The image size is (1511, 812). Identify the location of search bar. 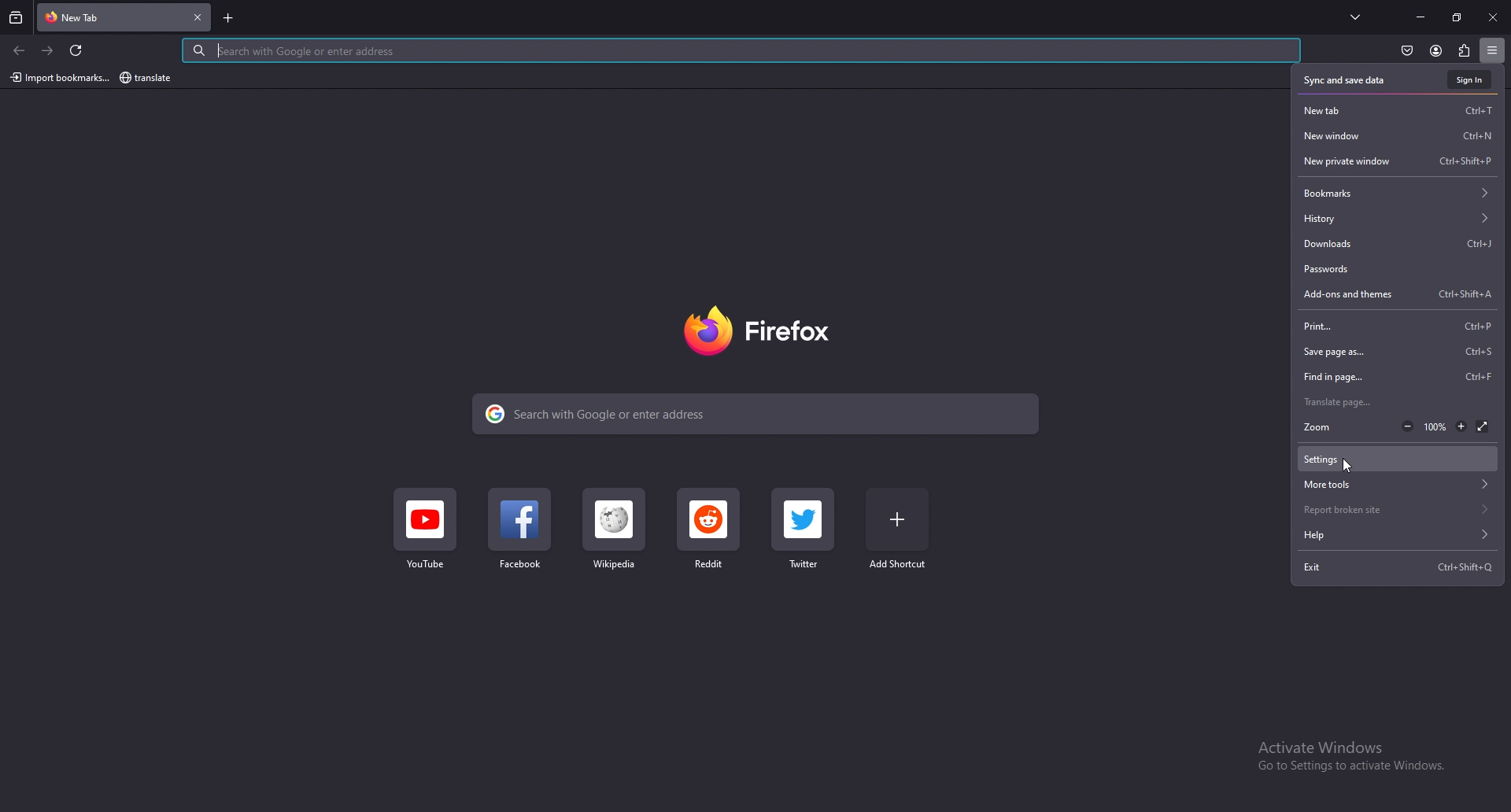
(741, 50).